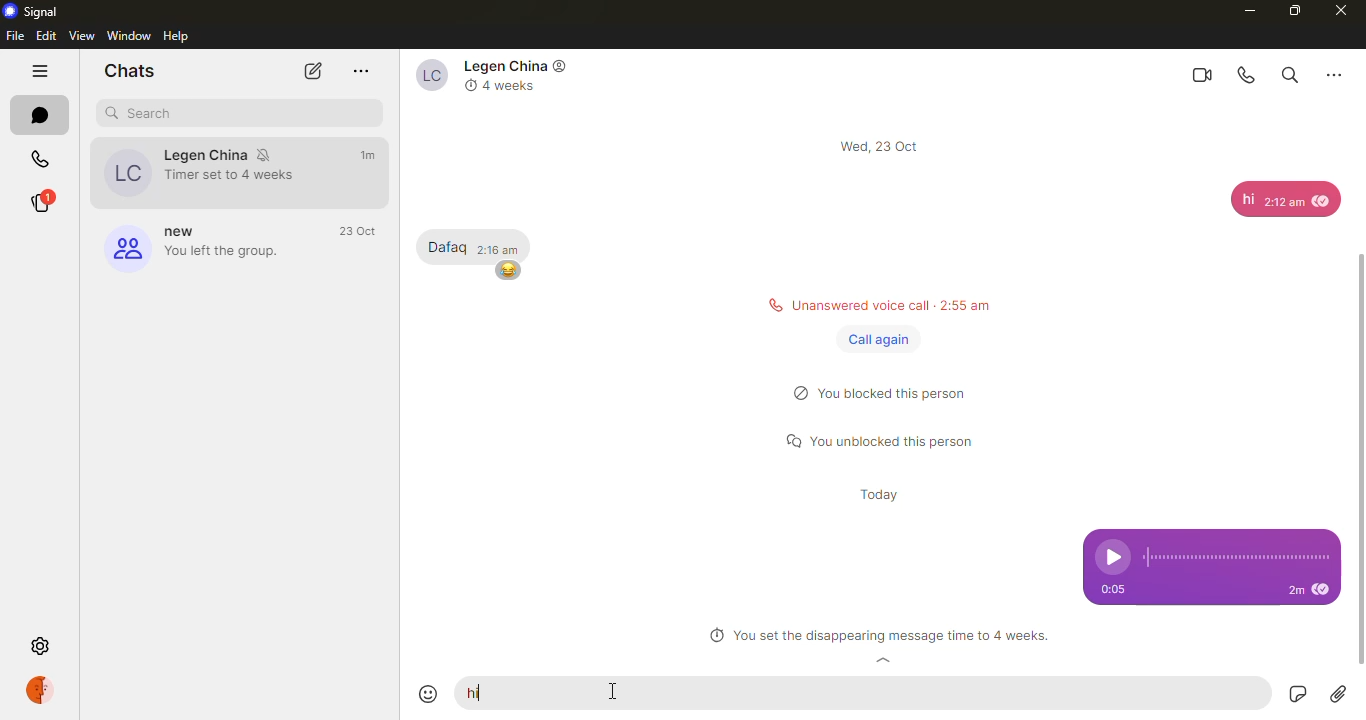 The width and height of the screenshot is (1366, 720). Describe the element at coordinates (179, 36) in the screenshot. I see `help` at that location.